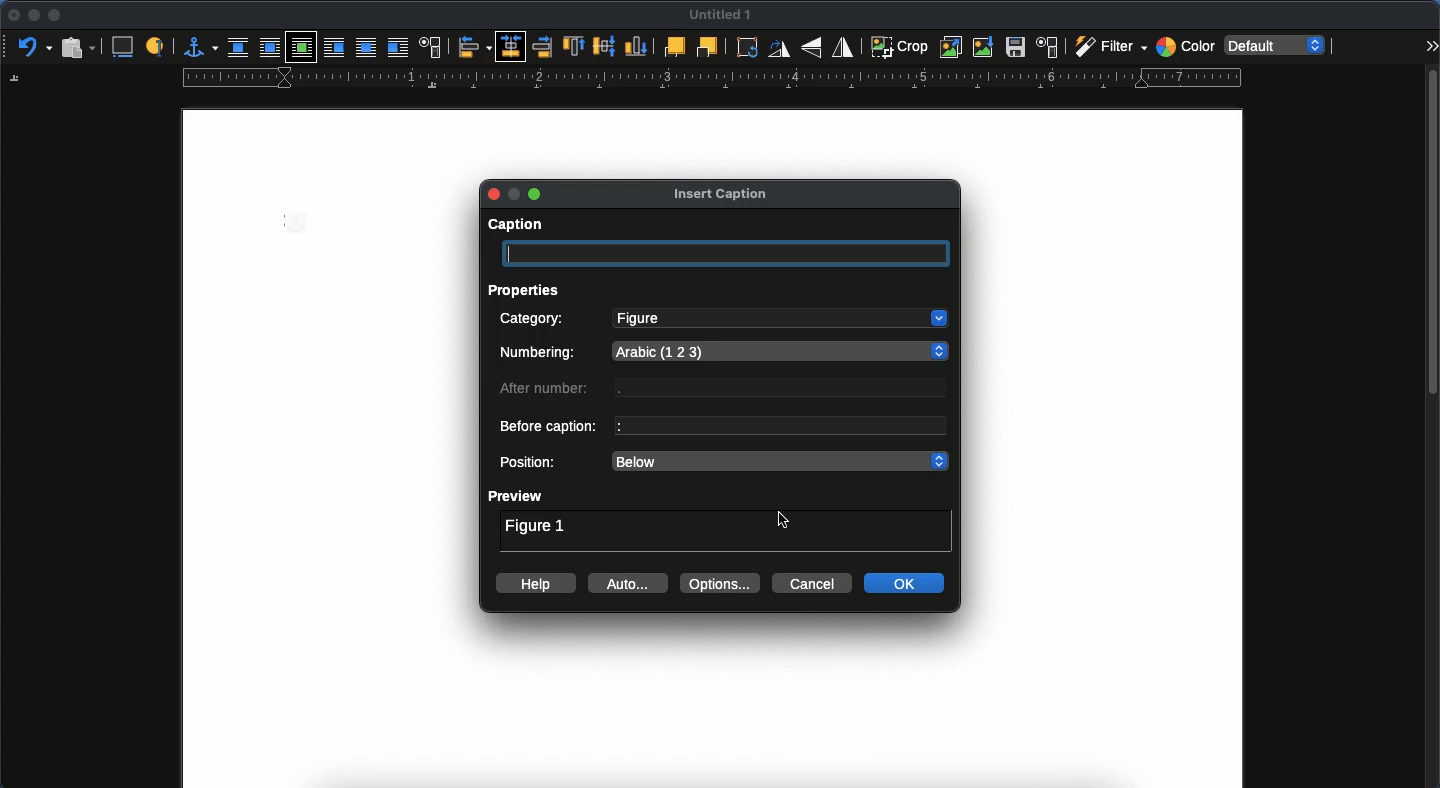  I want to click on cancel, so click(813, 584).